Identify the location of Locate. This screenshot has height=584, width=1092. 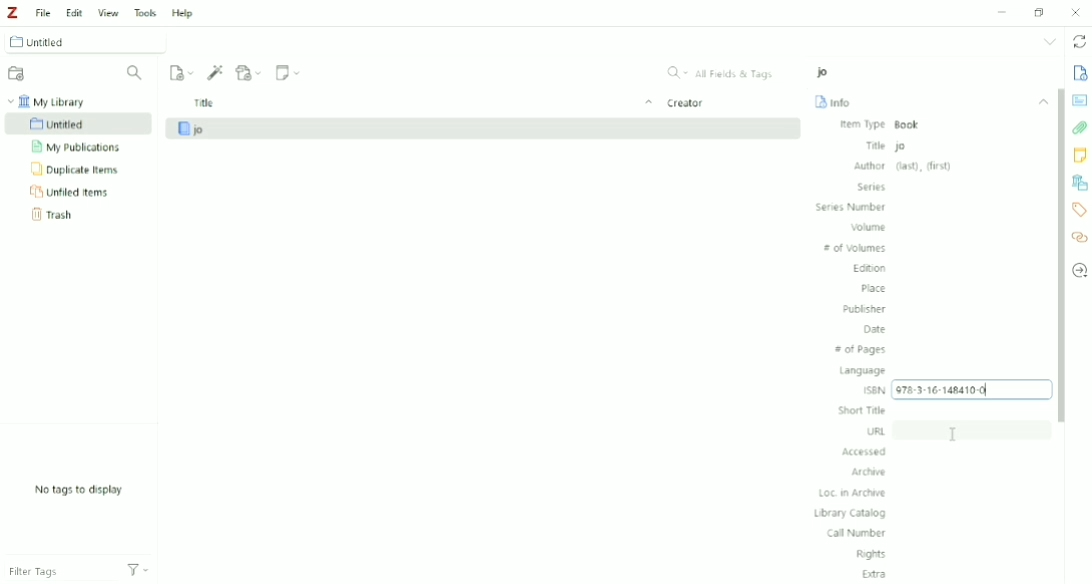
(1080, 271).